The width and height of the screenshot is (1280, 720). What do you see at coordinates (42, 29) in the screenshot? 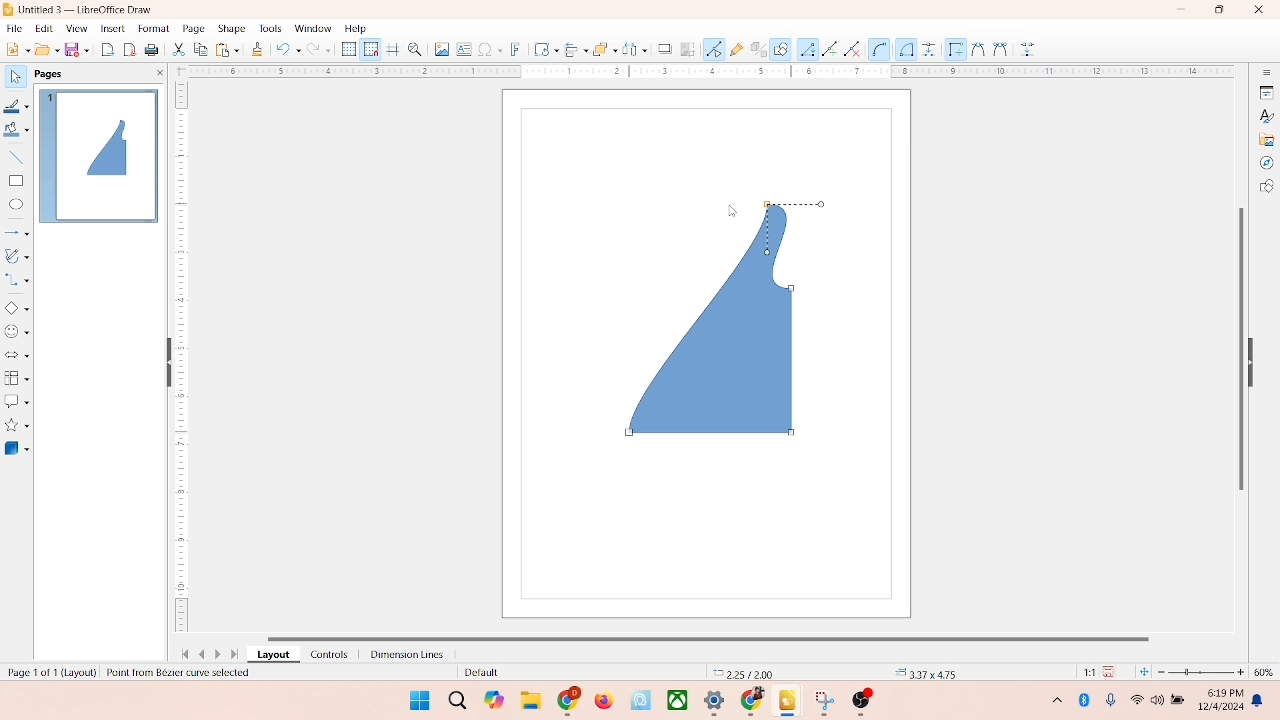
I see `edit` at bounding box center [42, 29].